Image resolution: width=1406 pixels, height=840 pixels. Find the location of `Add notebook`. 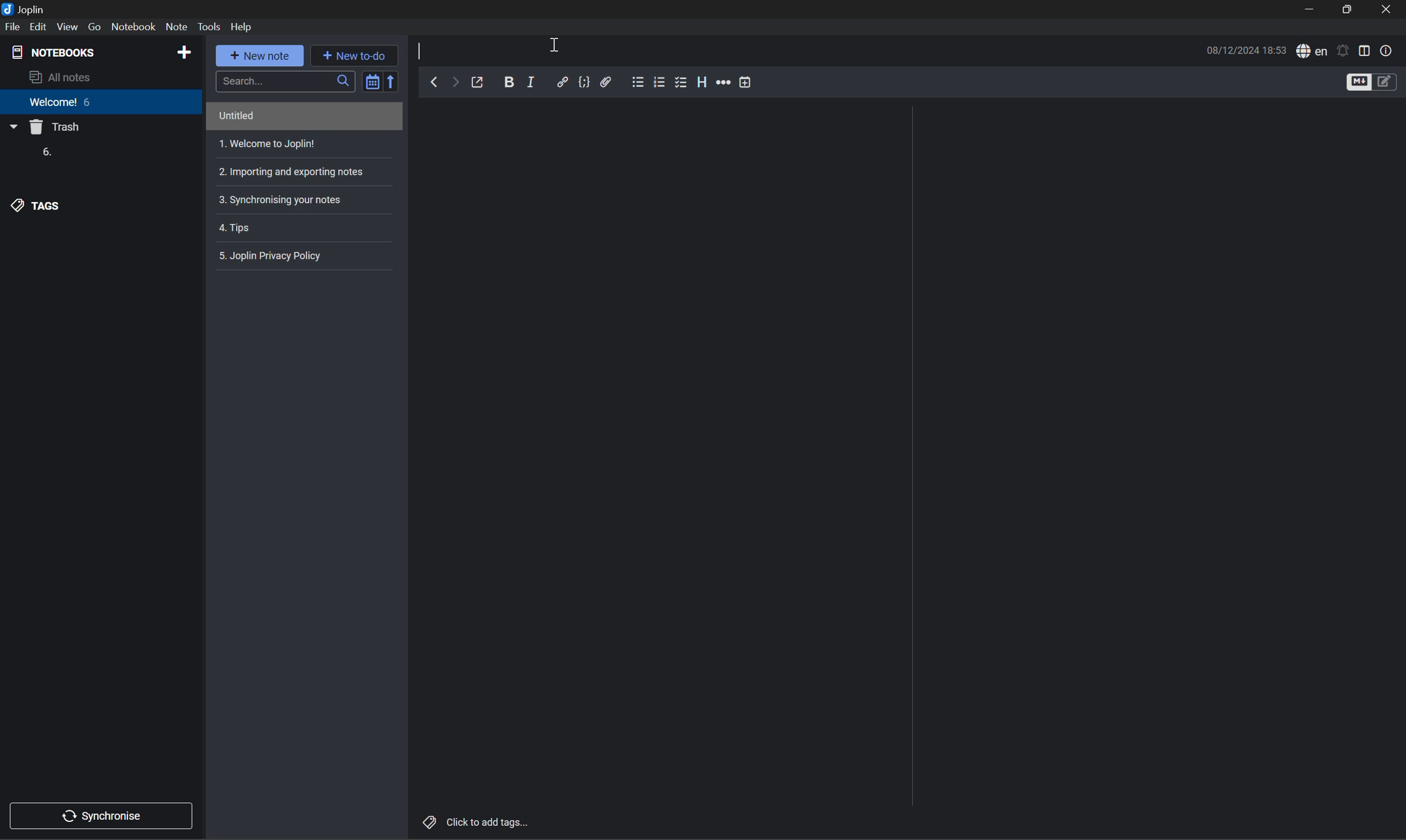

Add notebook is located at coordinates (184, 51).